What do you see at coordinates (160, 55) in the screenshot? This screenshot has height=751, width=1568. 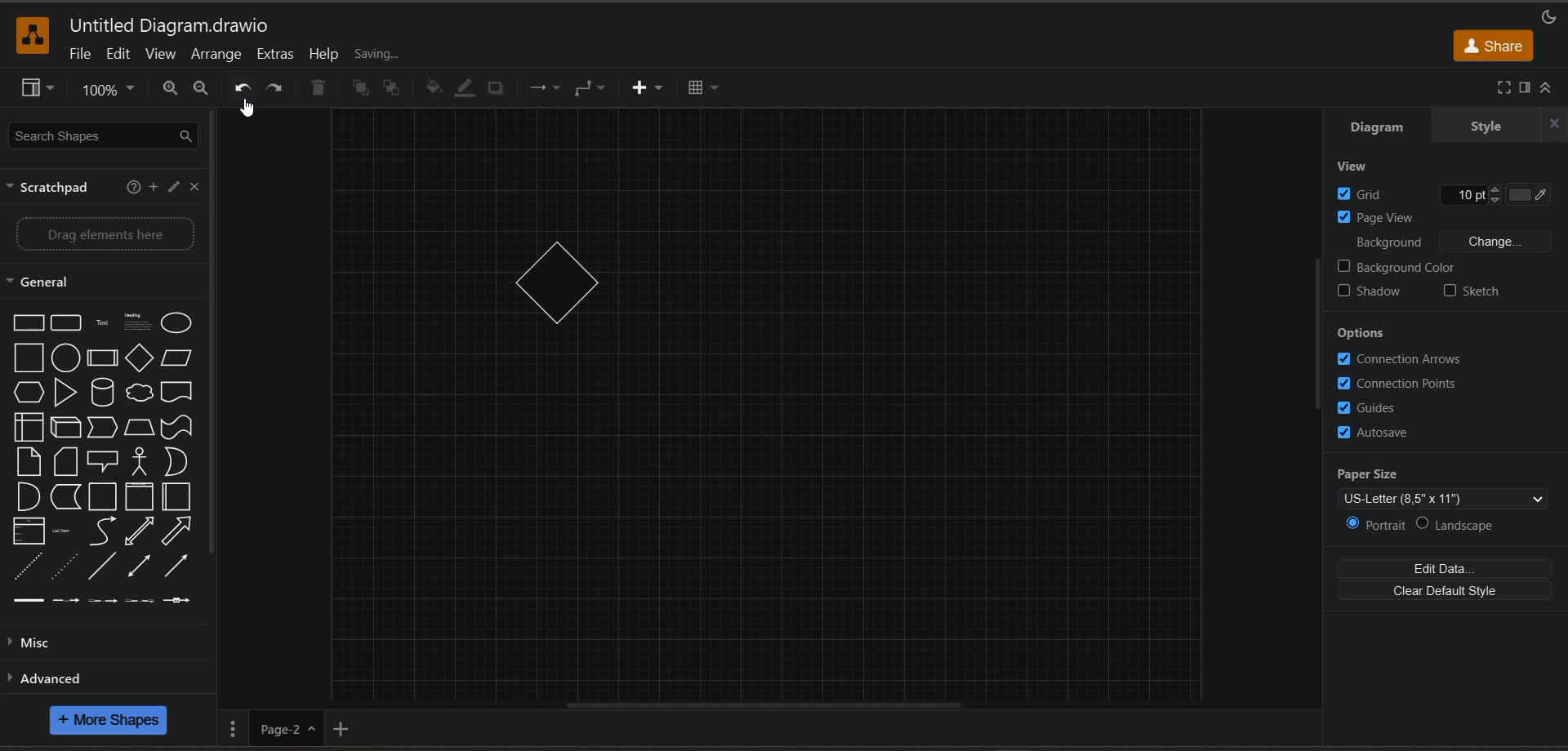 I see `view` at bounding box center [160, 55].